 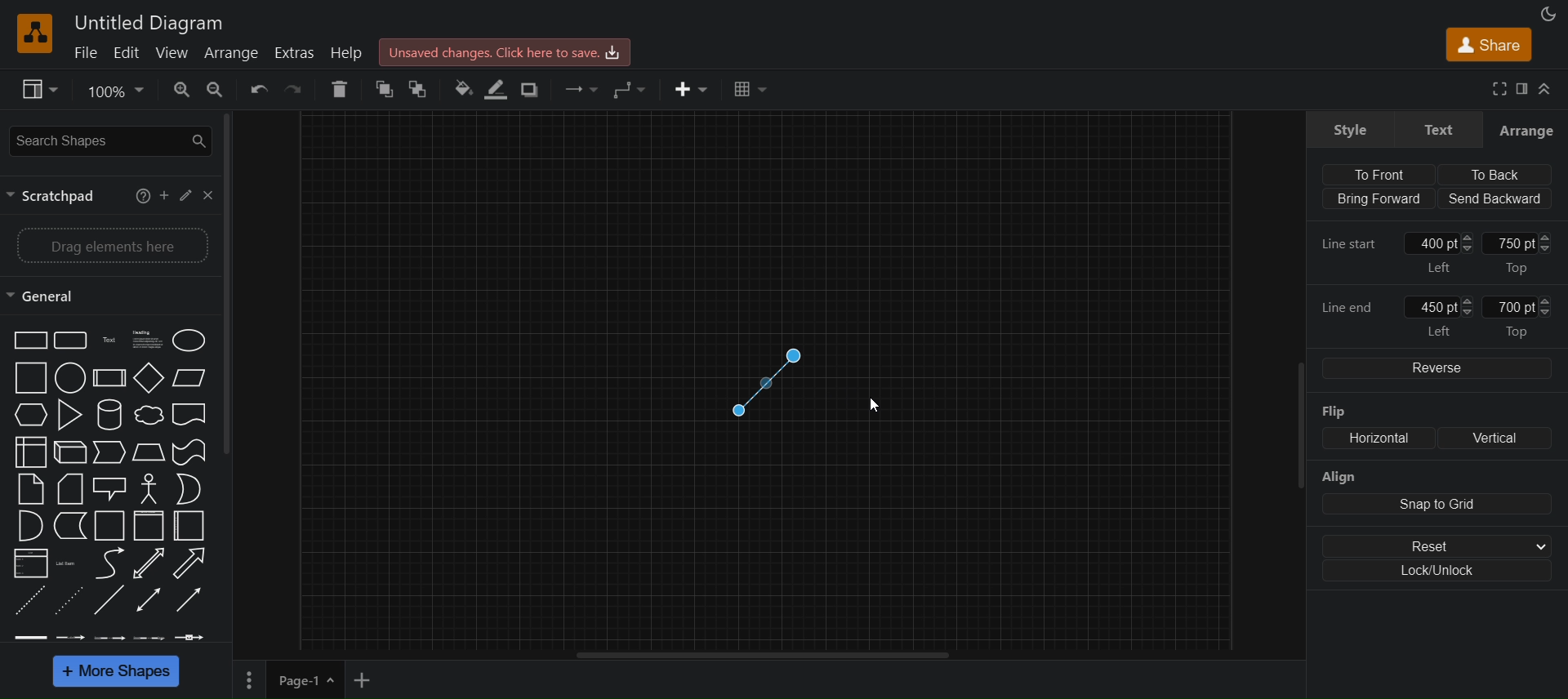 I want to click on Hexagon, so click(x=29, y=416).